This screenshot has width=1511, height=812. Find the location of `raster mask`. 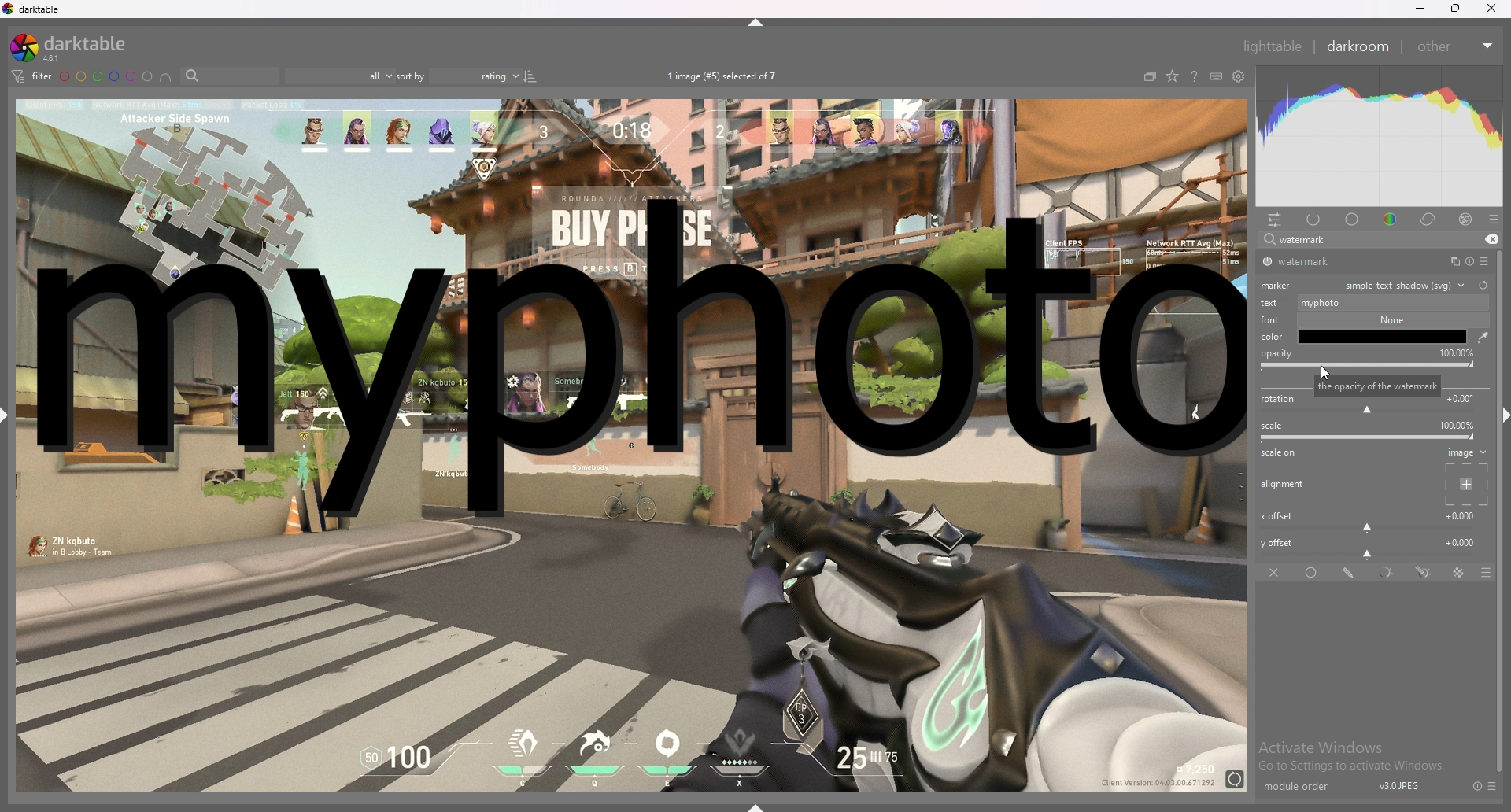

raster mask is located at coordinates (1460, 573).